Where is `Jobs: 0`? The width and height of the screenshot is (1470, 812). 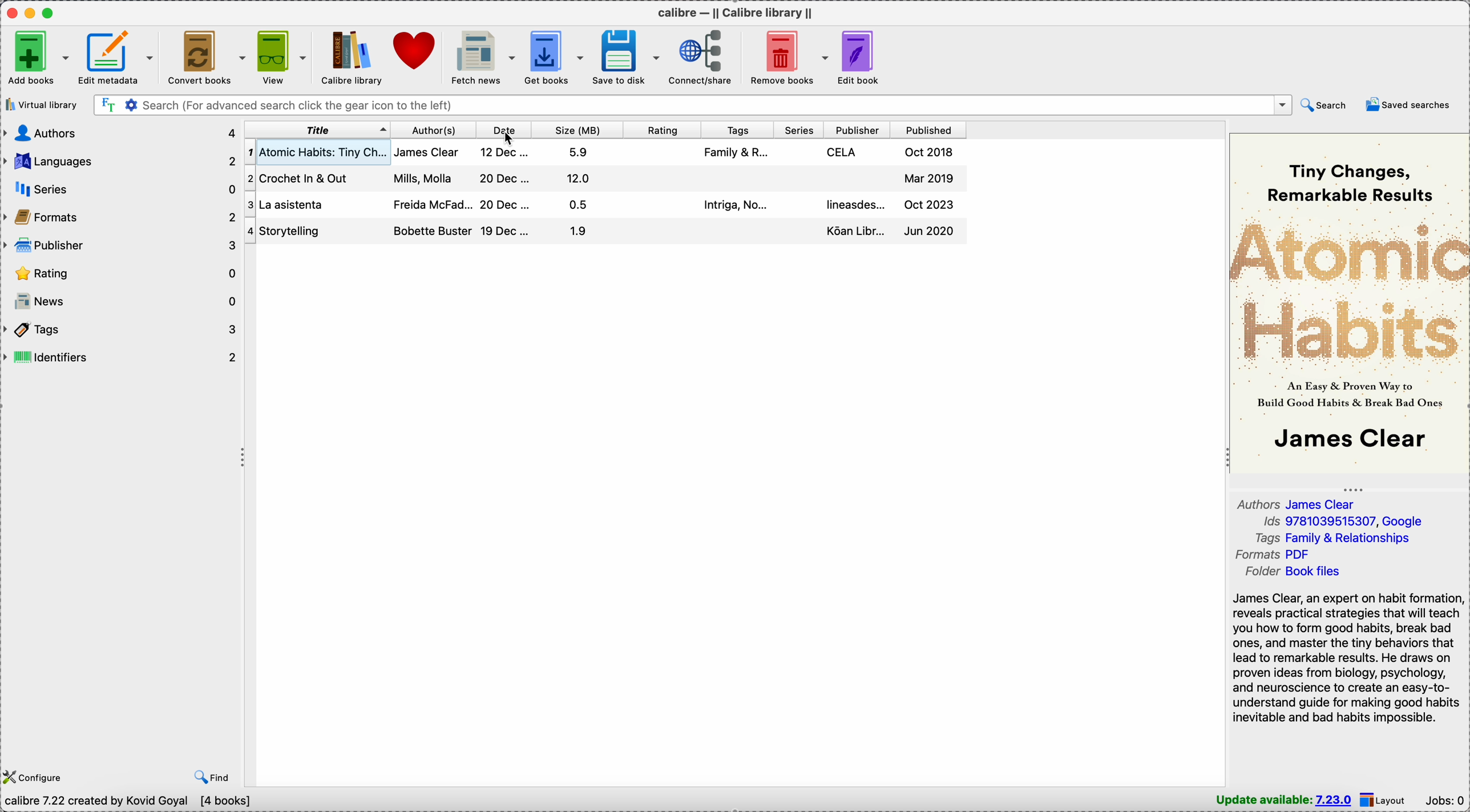
Jobs: 0 is located at coordinates (1444, 800).